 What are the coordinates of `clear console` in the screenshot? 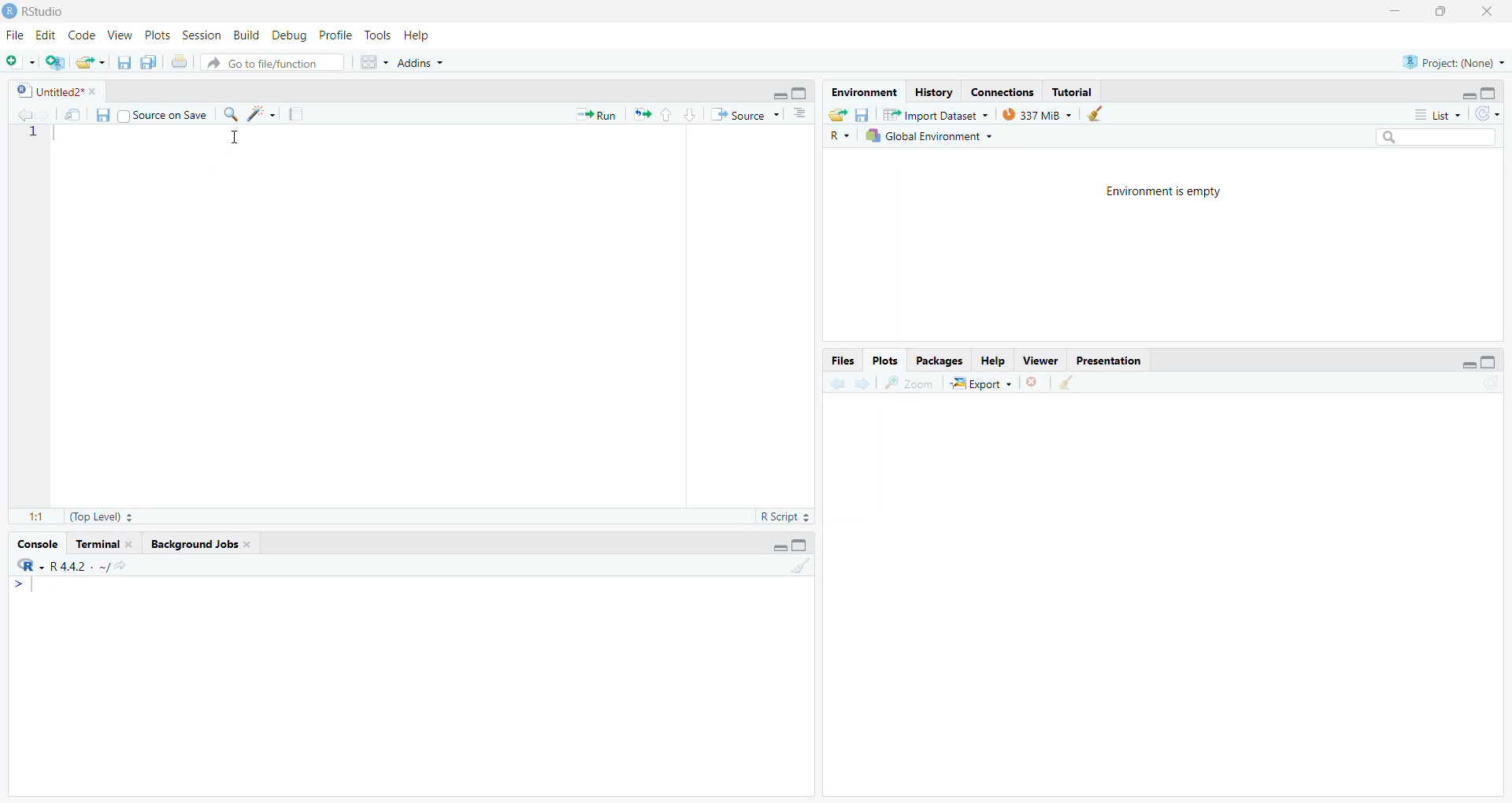 It's located at (799, 567).